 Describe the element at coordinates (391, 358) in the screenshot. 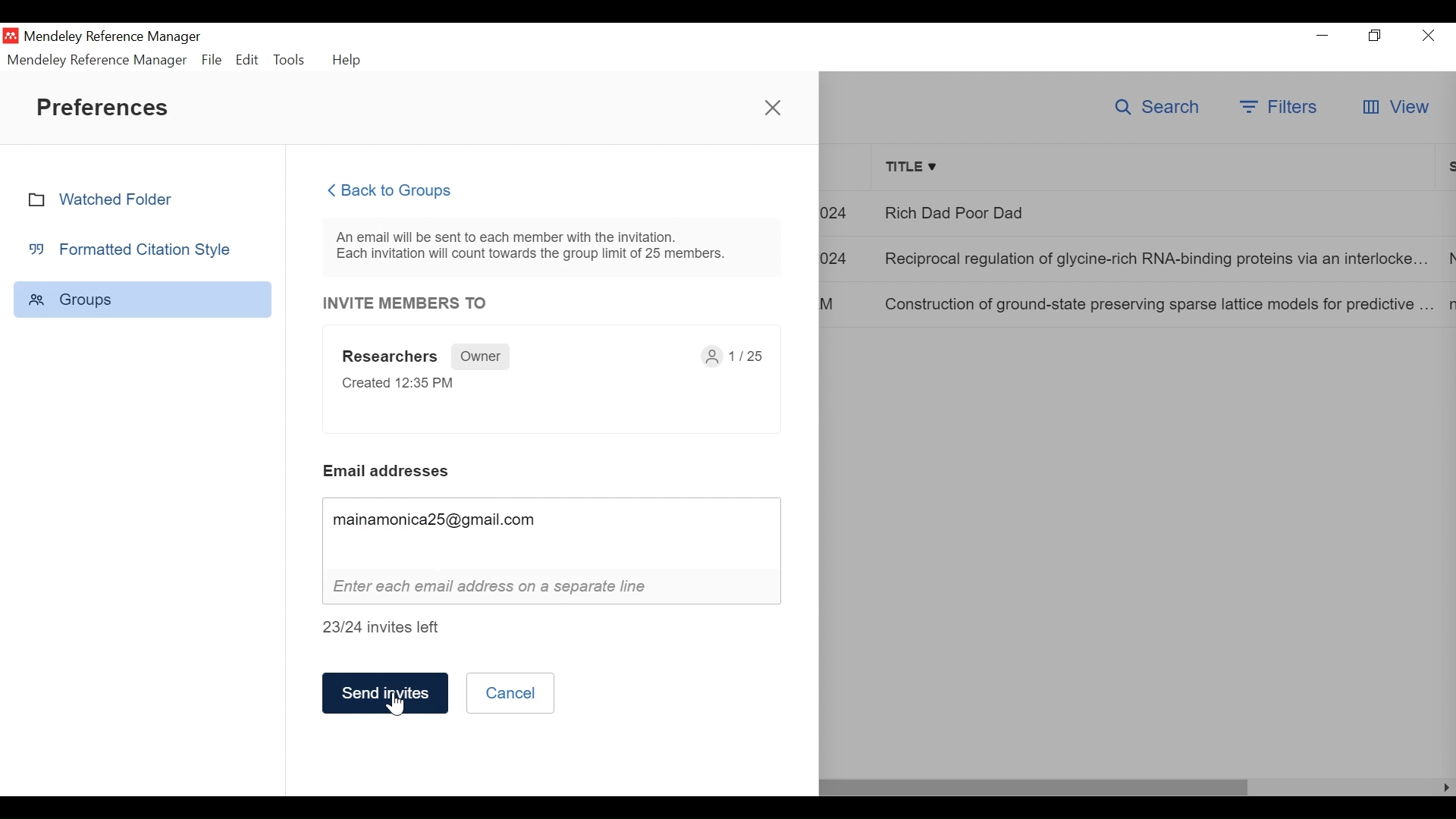

I see `Researchers` at that location.